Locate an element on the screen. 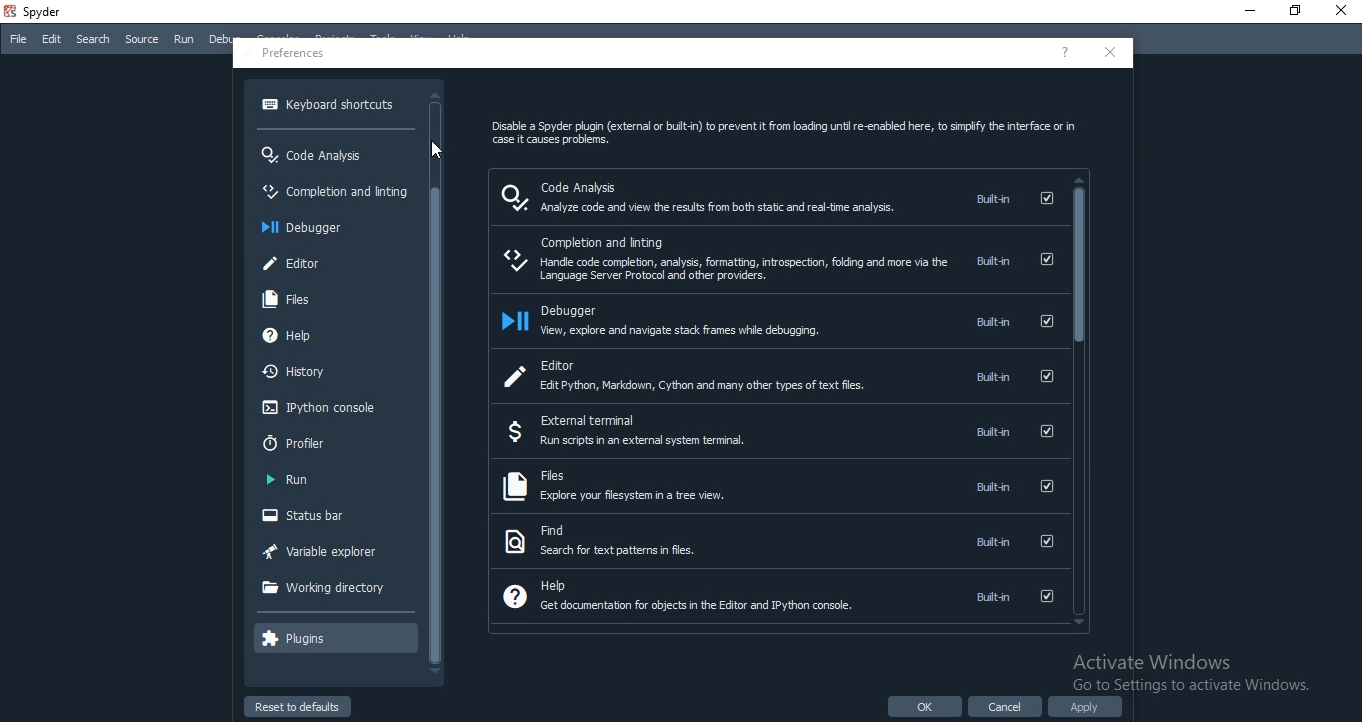 Image resolution: width=1362 pixels, height=722 pixels. external terminal is located at coordinates (780, 428).